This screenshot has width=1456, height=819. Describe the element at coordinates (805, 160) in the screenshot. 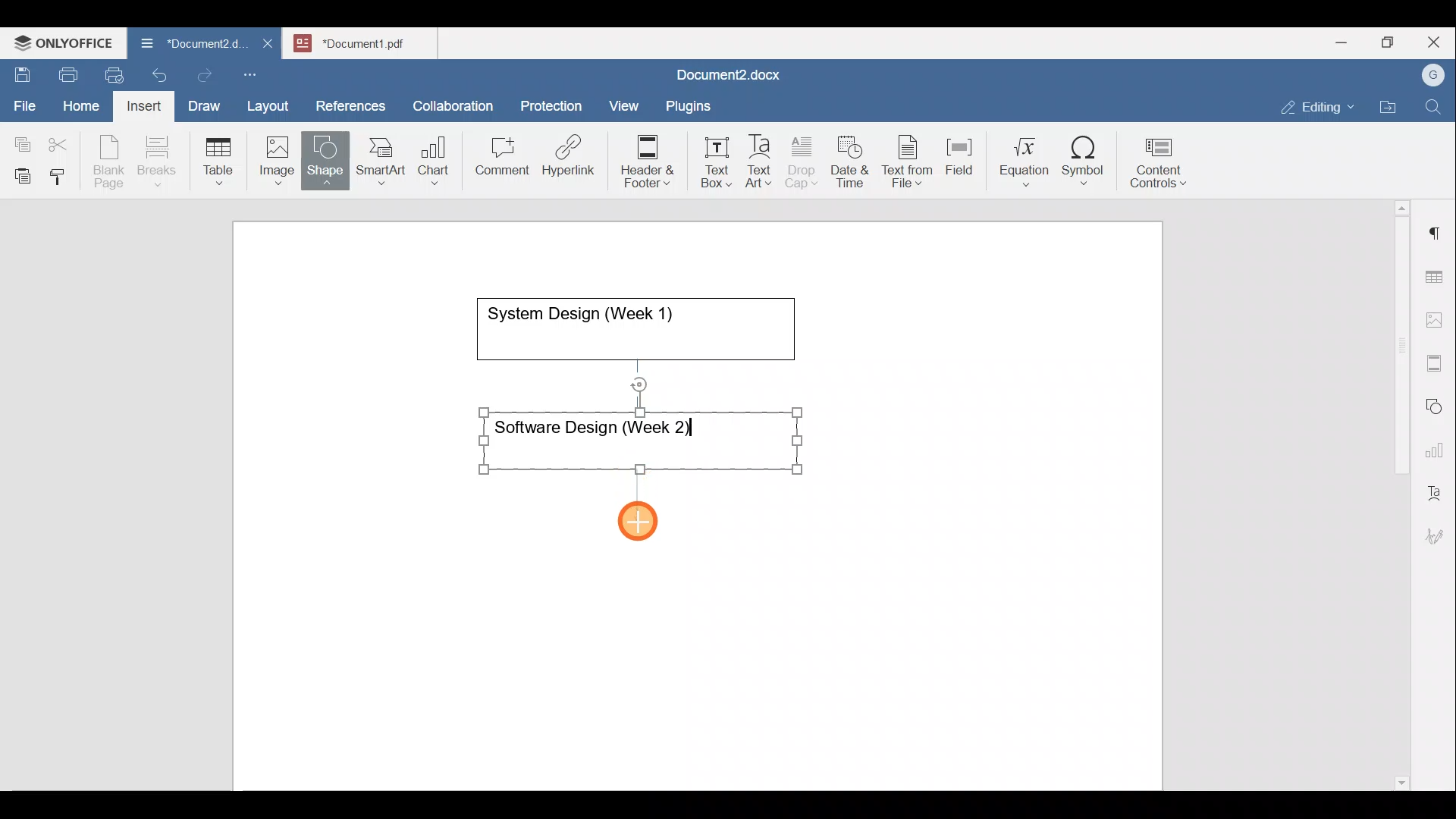

I see `Drop cap` at that location.